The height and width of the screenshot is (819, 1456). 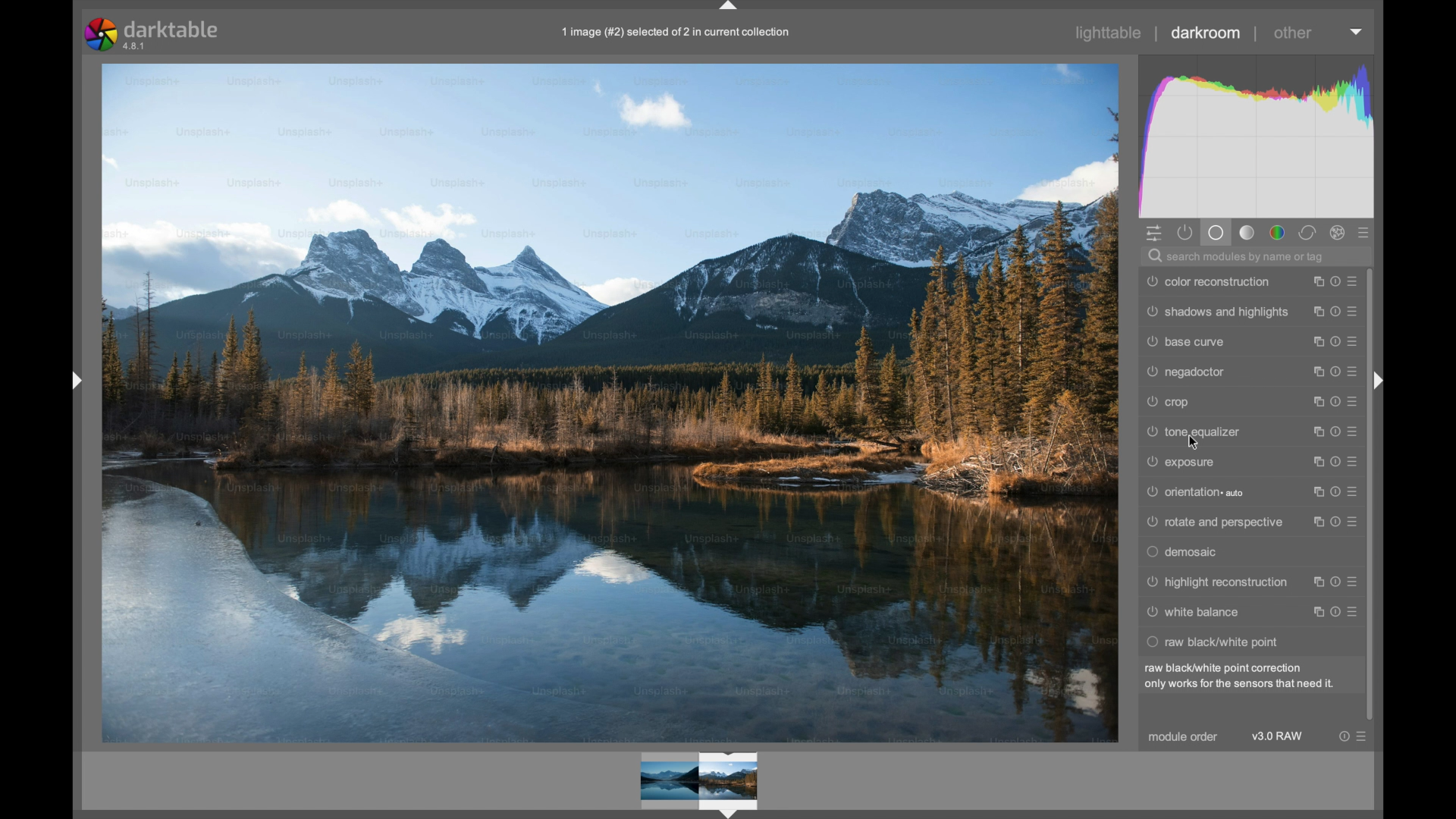 What do you see at coordinates (1315, 611) in the screenshot?
I see `instance` at bounding box center [1315, 611].